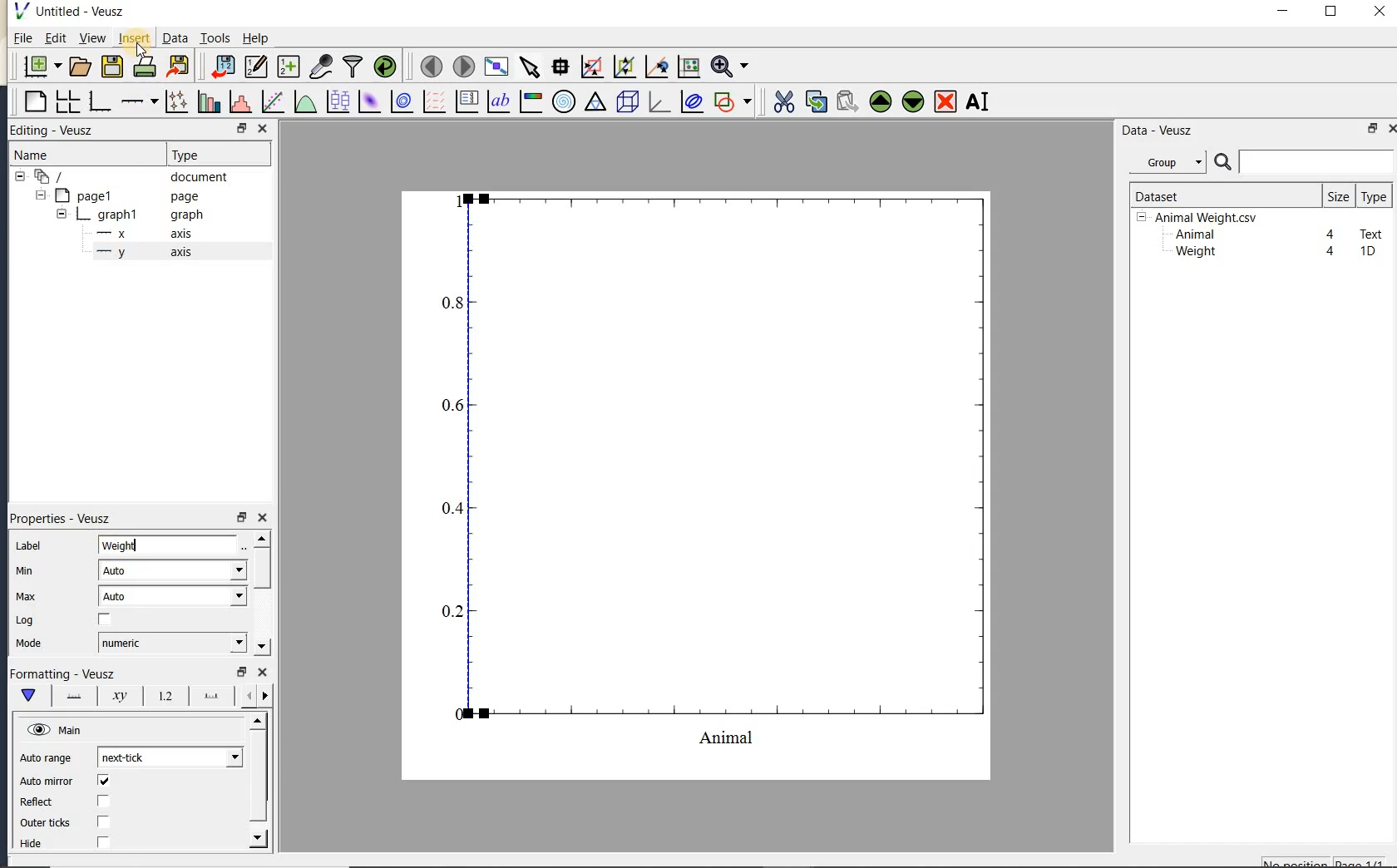  I want to click on Formatting - Veusz, so click(62, 674).